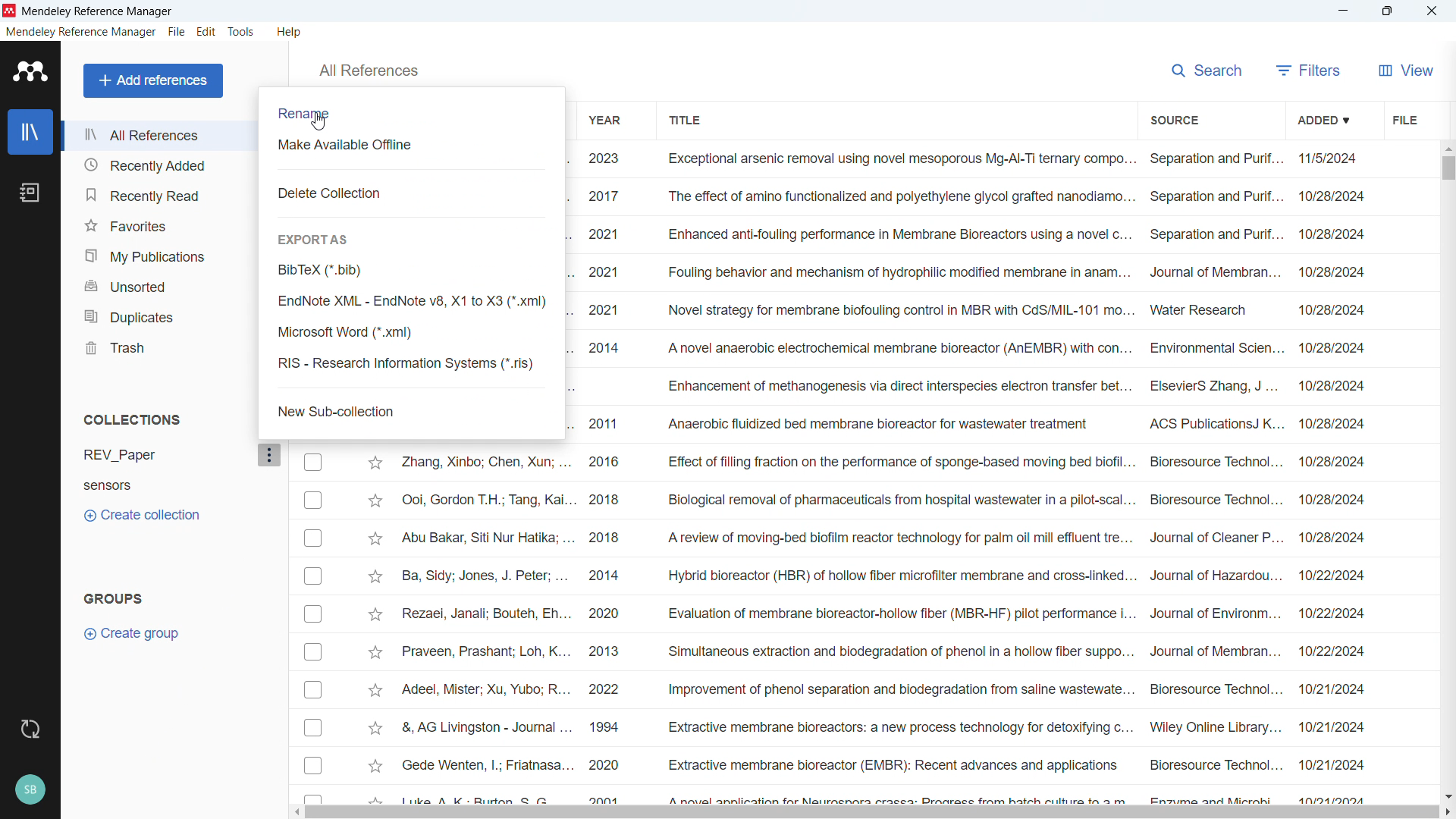 This screenshot has height=819, width=1456. I want to click on New sub-collection, so click(337, 410).